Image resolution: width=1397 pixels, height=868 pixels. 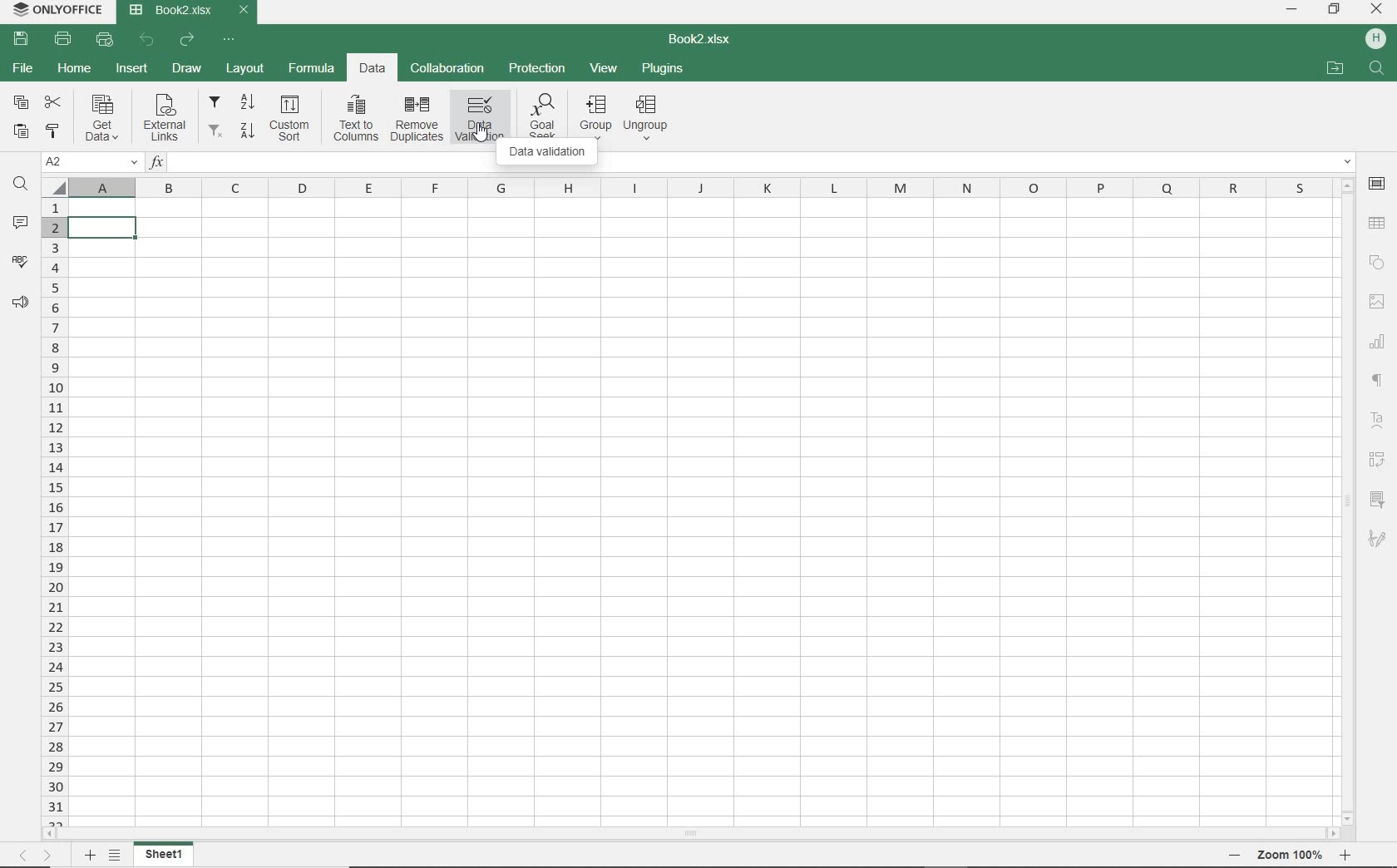 I want to click on HP, so click(x=1376, y=40).